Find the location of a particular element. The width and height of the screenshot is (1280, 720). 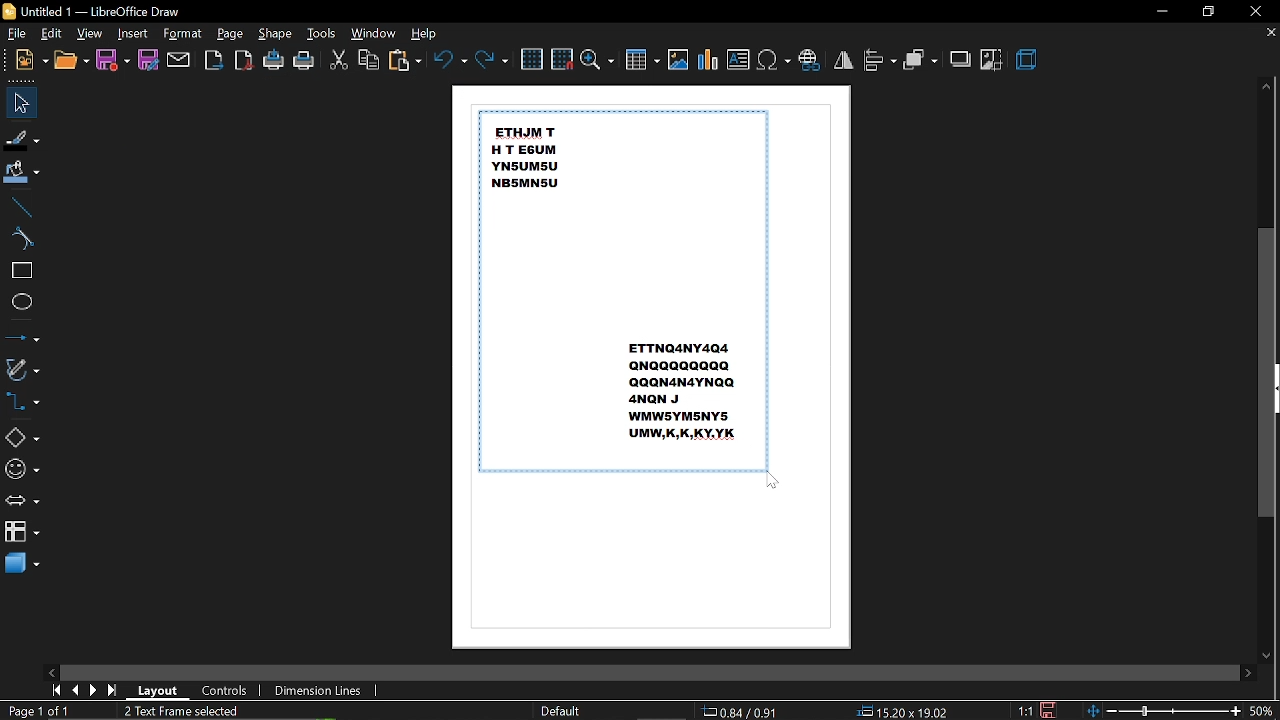

selected canvas is located at coordinates (622, 291).